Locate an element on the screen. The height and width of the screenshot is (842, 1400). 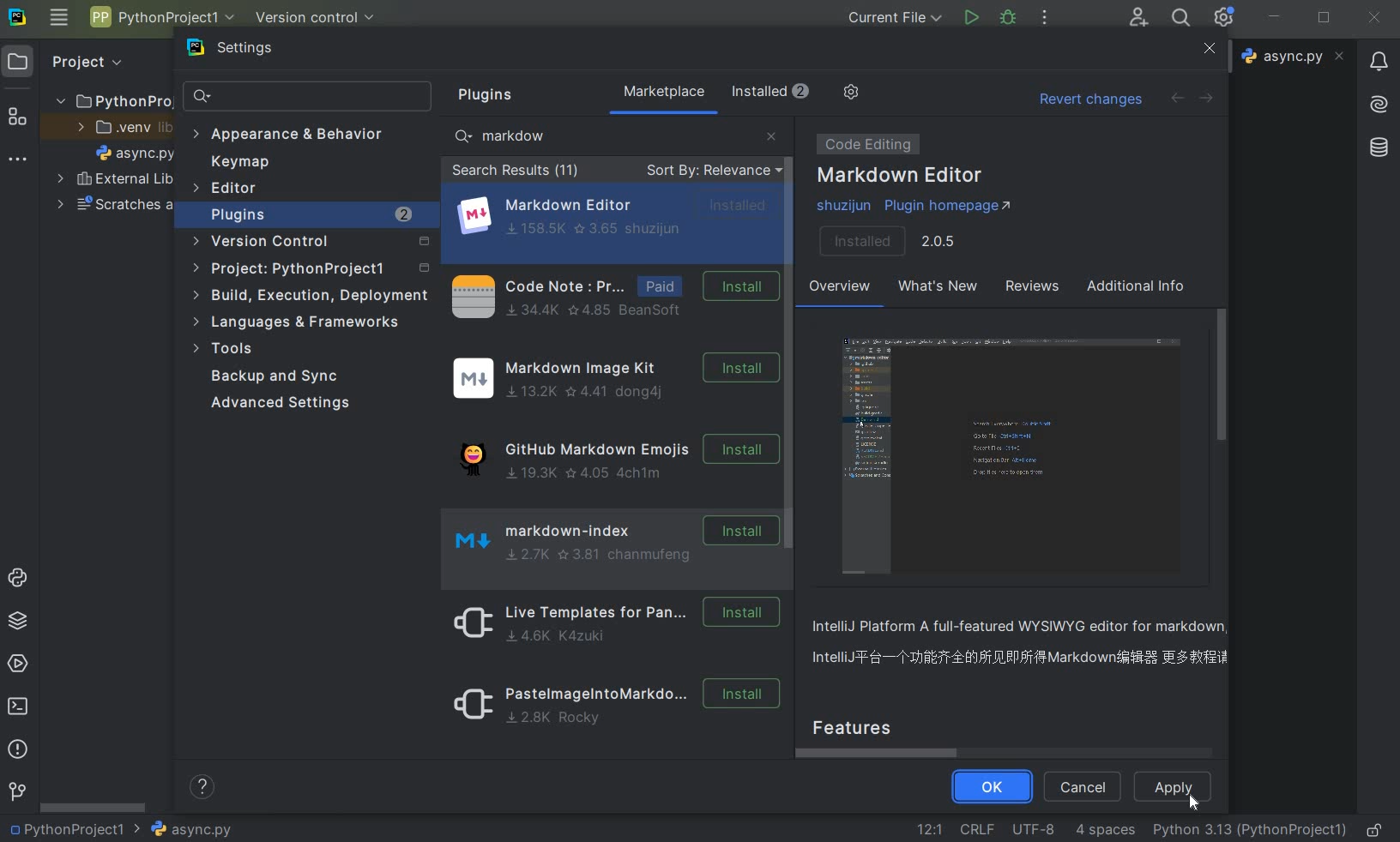
scrollbar is located at coordinates (94, 806).